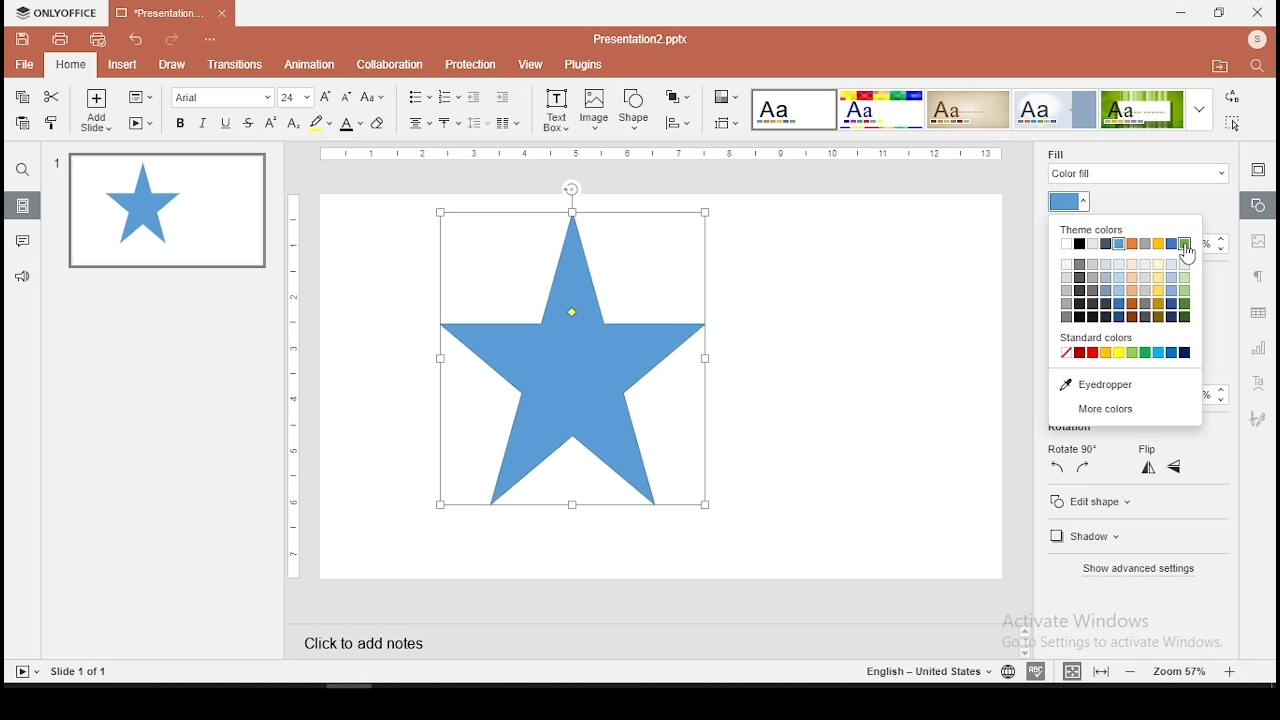 This screenshot has width=1280, height=720. What do you see at coordinates (1256, 206) in the screenshot?
I see `shape settings` at bounding box center [1256, 206].